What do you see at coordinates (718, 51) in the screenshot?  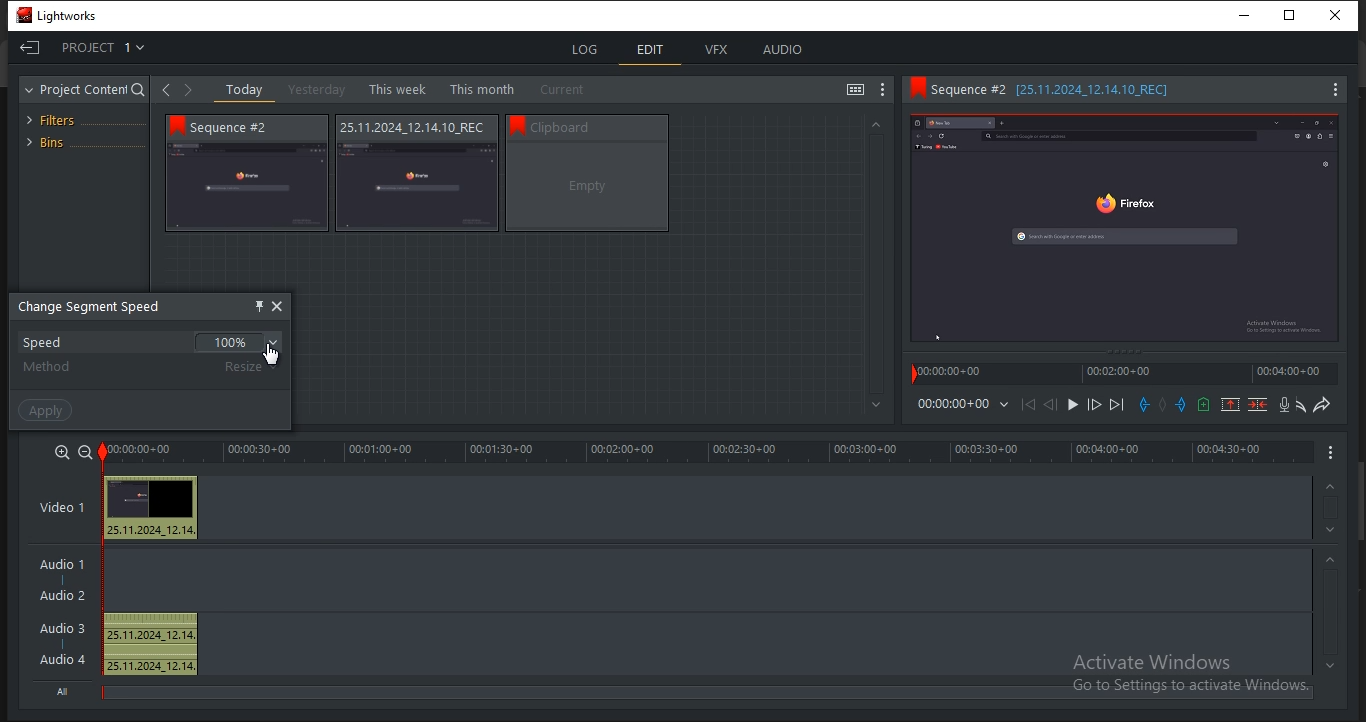 I see `vfx` at bounding box center [718, 51].